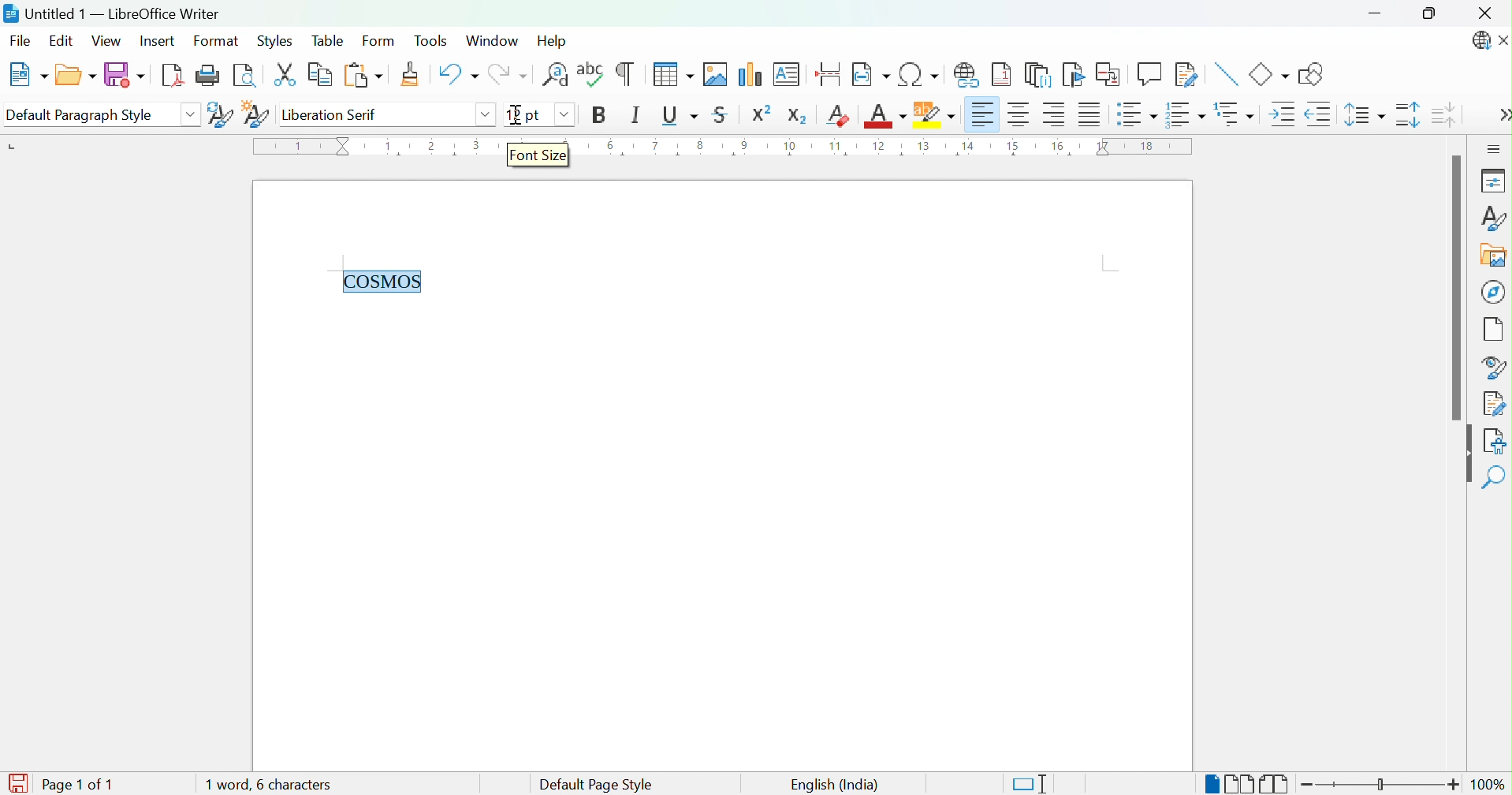 The width and height of the screenshot is (1512, 795). What do you see at coordinates (594, 785) in the screenshot?
I see `Default page style` at bounding box center [594, 785].